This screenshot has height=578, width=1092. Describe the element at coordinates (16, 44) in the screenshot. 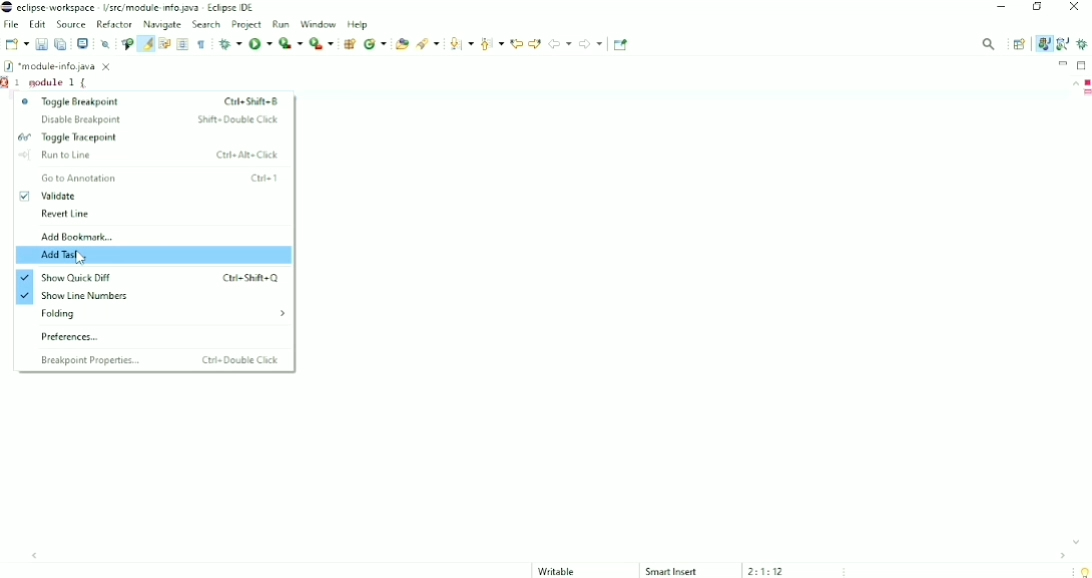

I see `New` at that location.